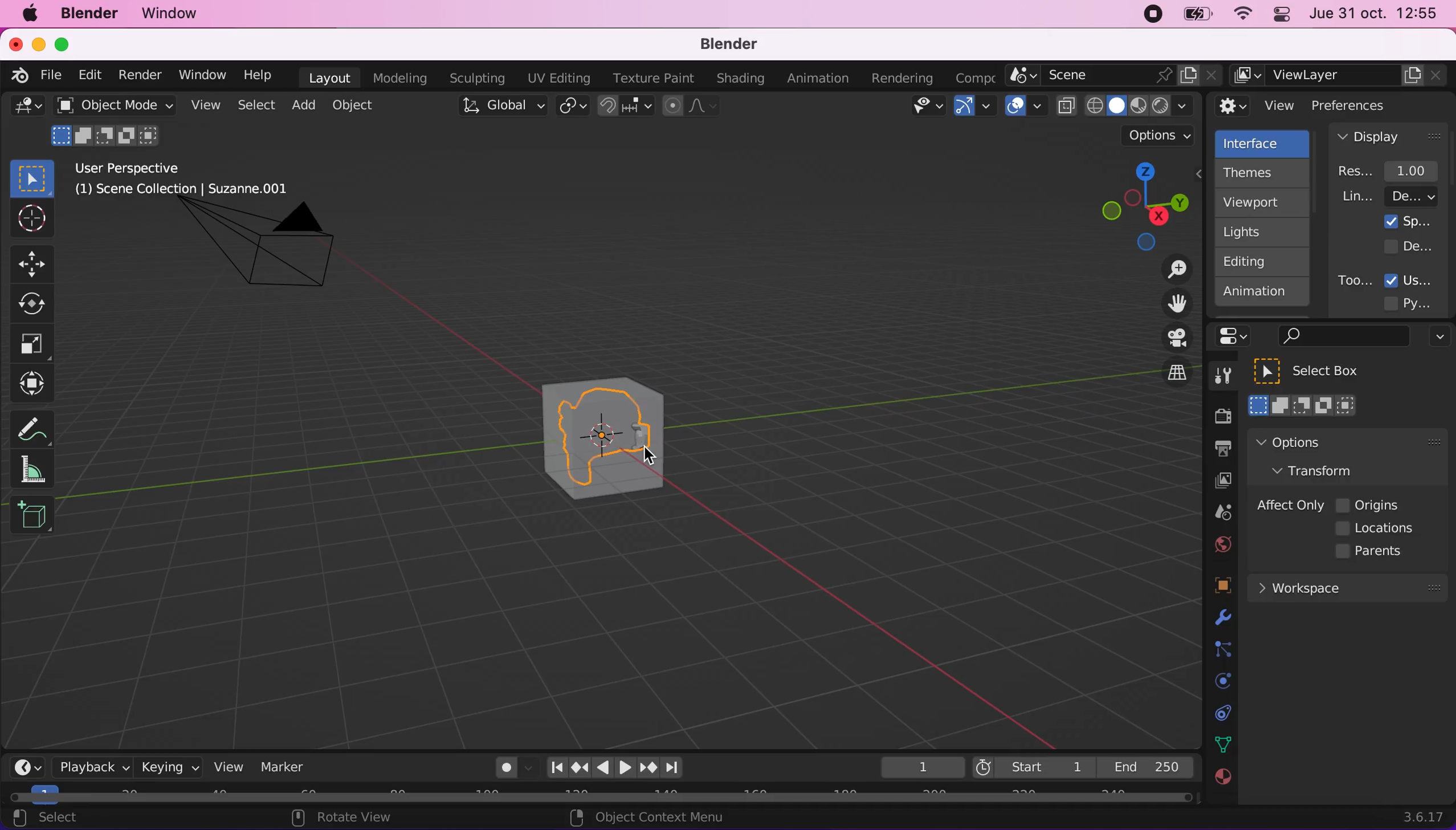 The image size is (1456, 830). I want to click on object mode, so click(111, 105).